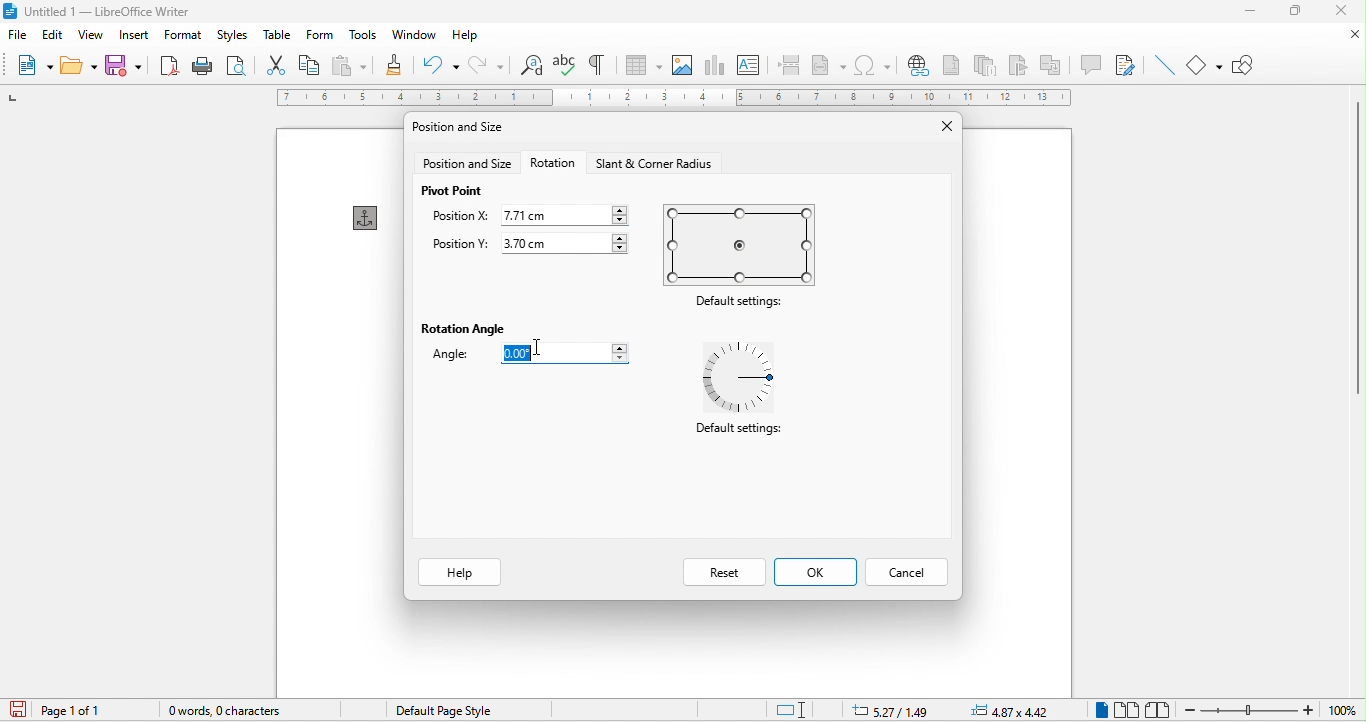 The width and height of the screenshot is (1366, 722). Describe the element at coordinates (310, 66) in the screenshot. I see `copy` at that location.